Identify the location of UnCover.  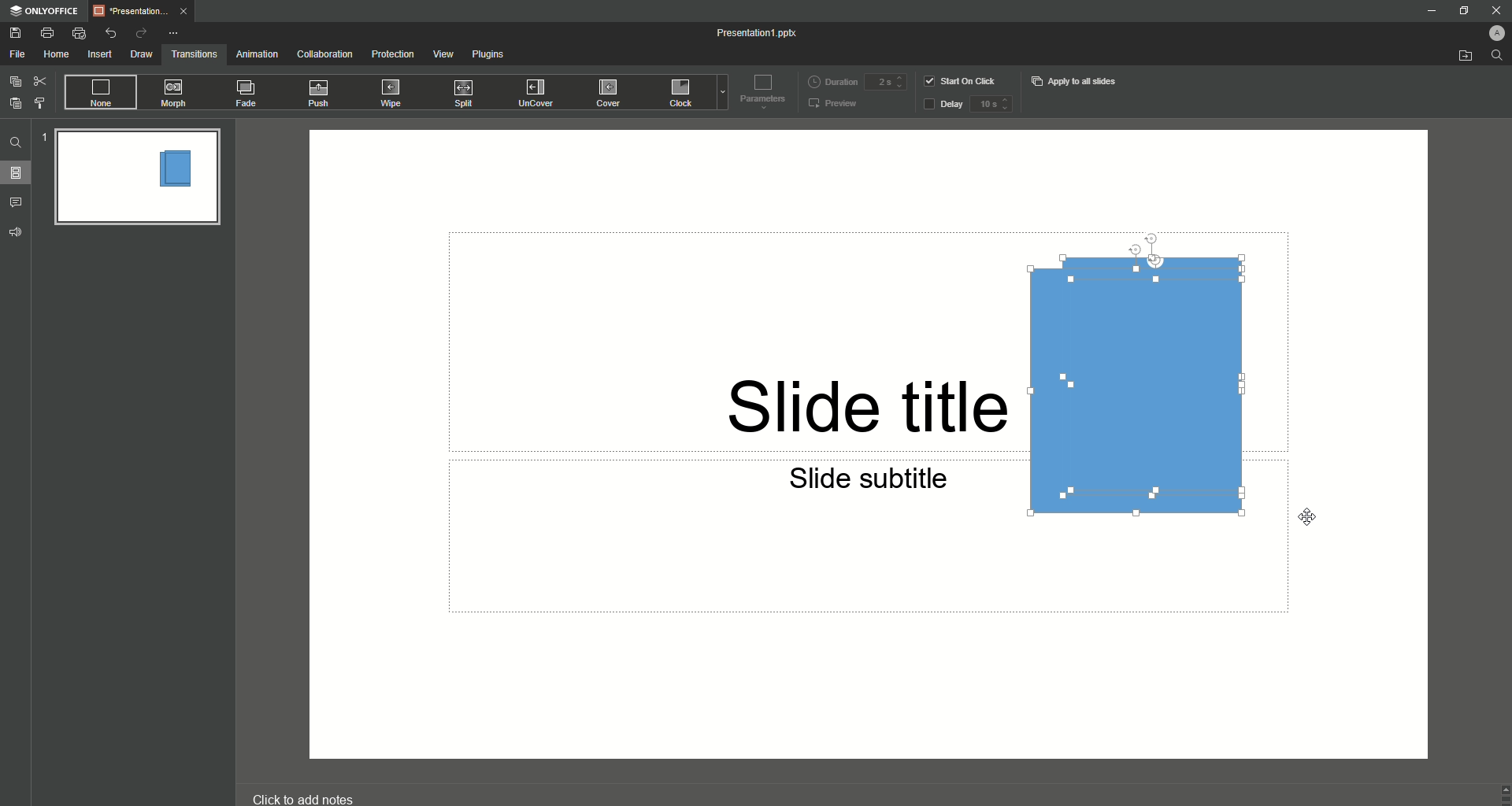
(541, 94).